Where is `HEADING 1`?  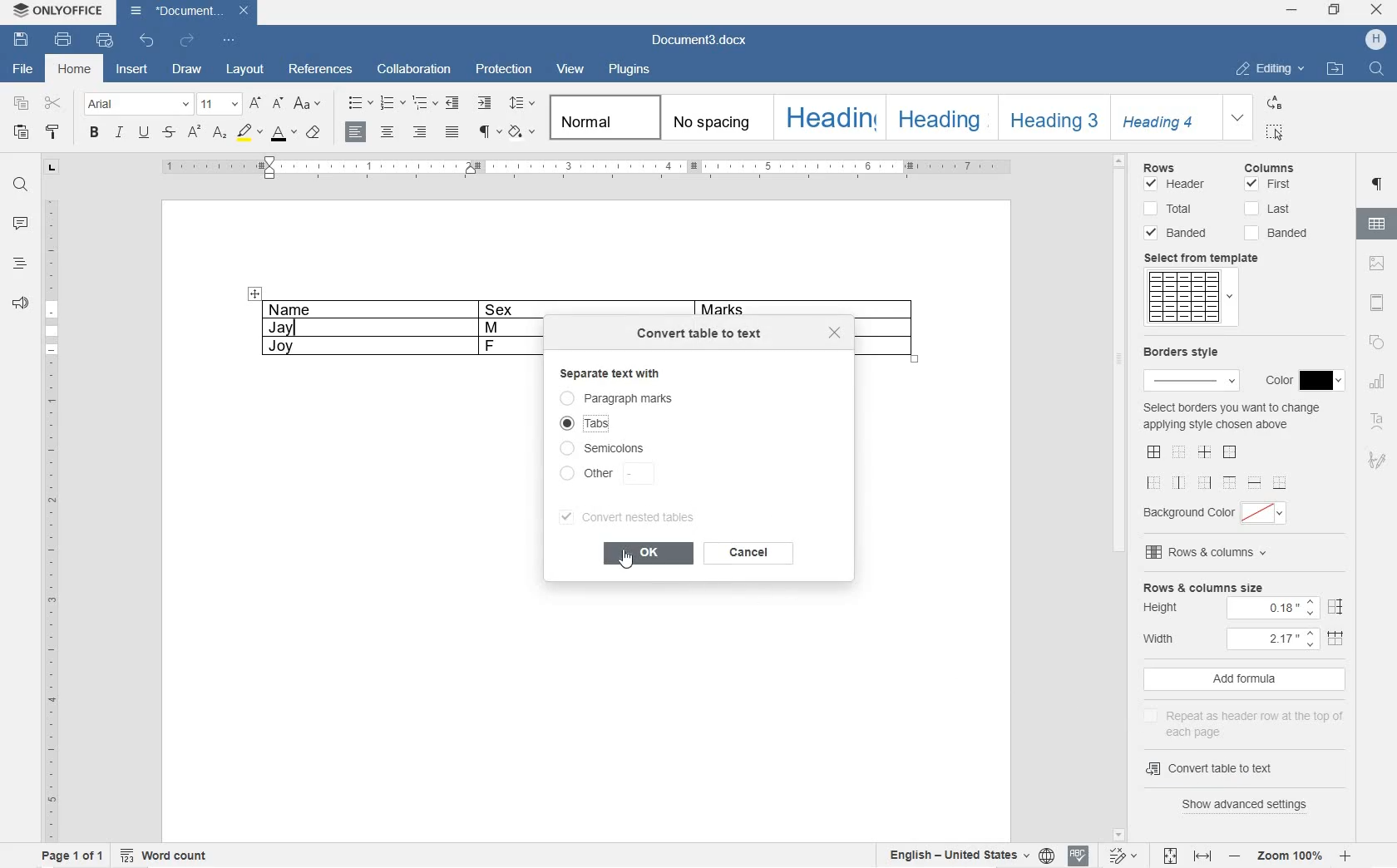
HEADING 1 is located at coordinates (828, 117).